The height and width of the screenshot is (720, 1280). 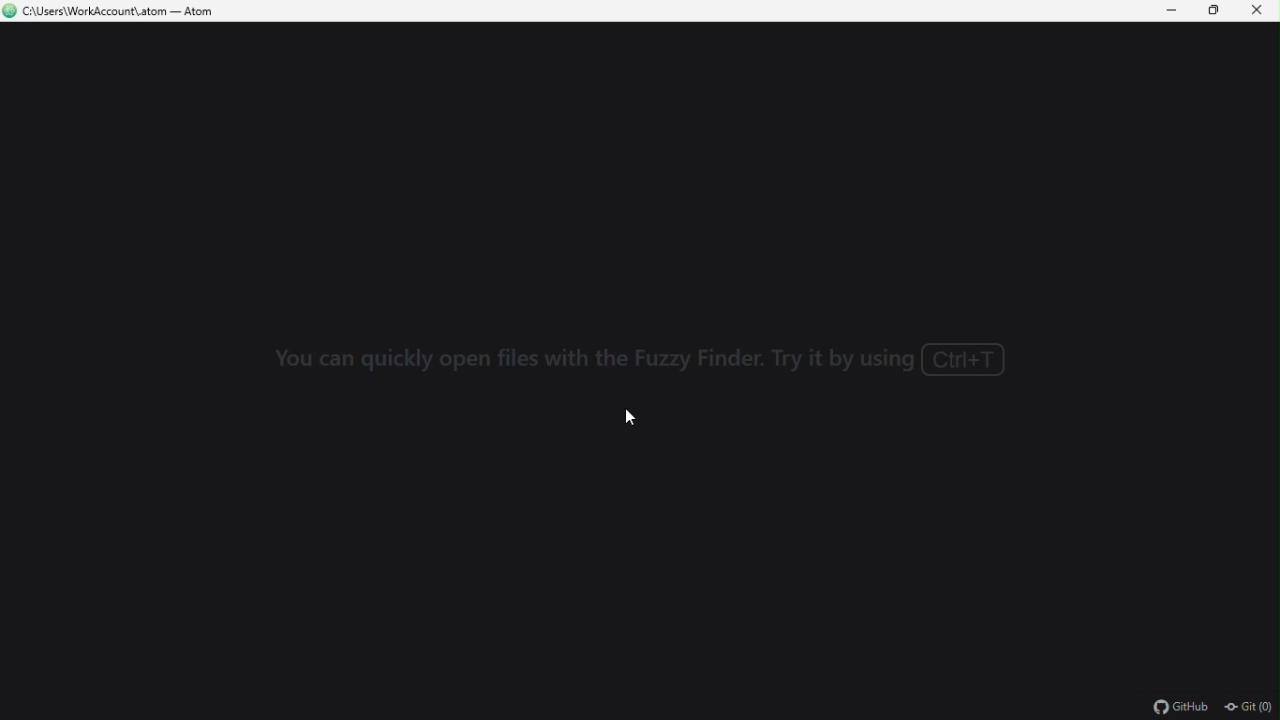 I want to click on C:/Users/WorkAccount\atom - Atom, so click(x=128, y=13).